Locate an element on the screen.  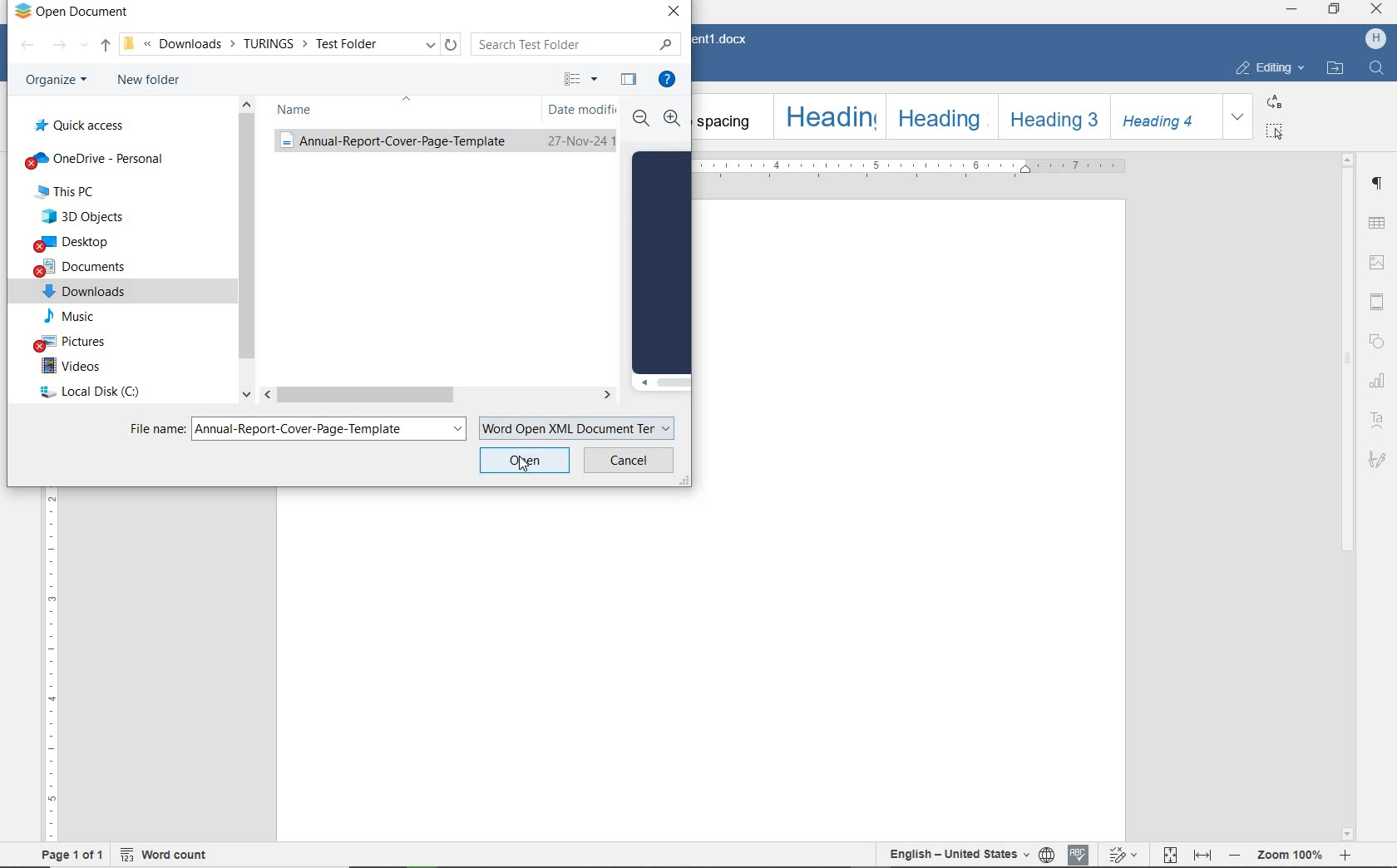
quick access is located at coordinates (77, 126).